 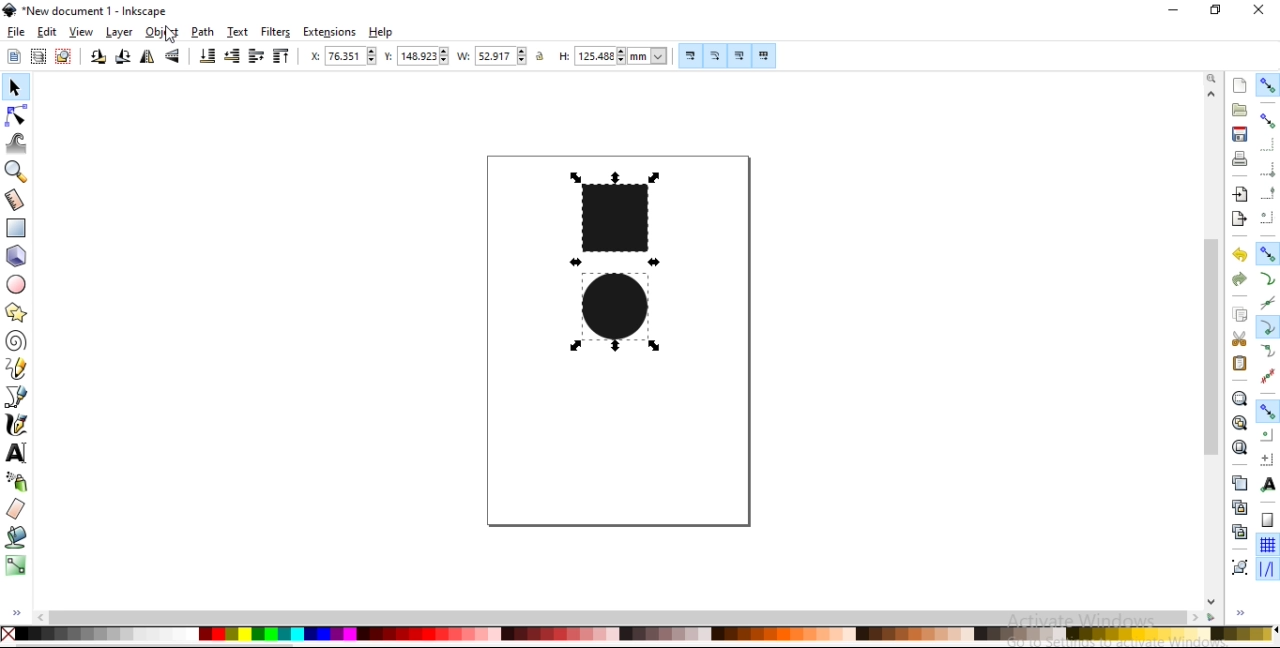 What do you see at coordinates (1267, 519) in the screenshot?
I see `snap to page borders` at bounding box center [1267, 519].